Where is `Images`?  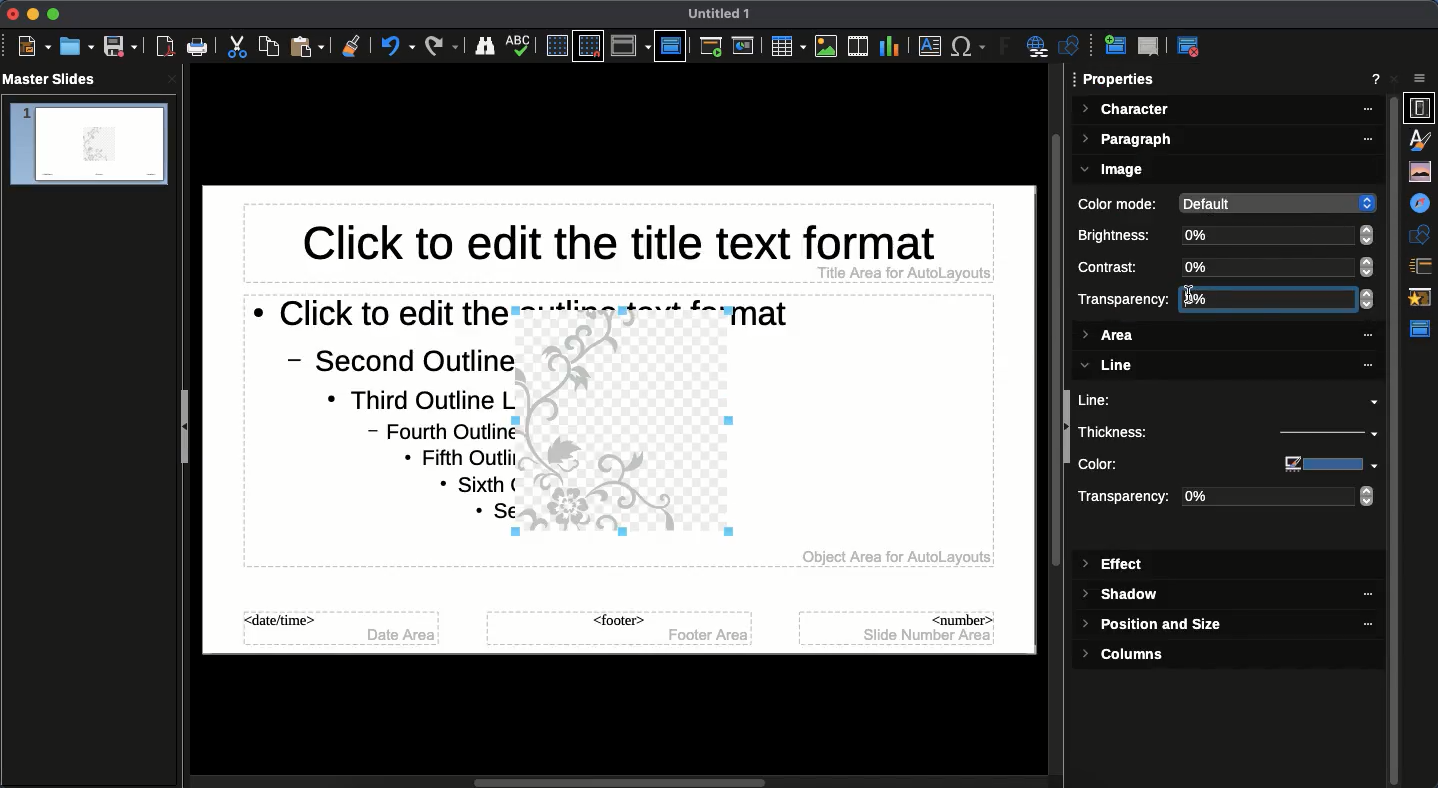 Images is located at coordinates (826, 46).